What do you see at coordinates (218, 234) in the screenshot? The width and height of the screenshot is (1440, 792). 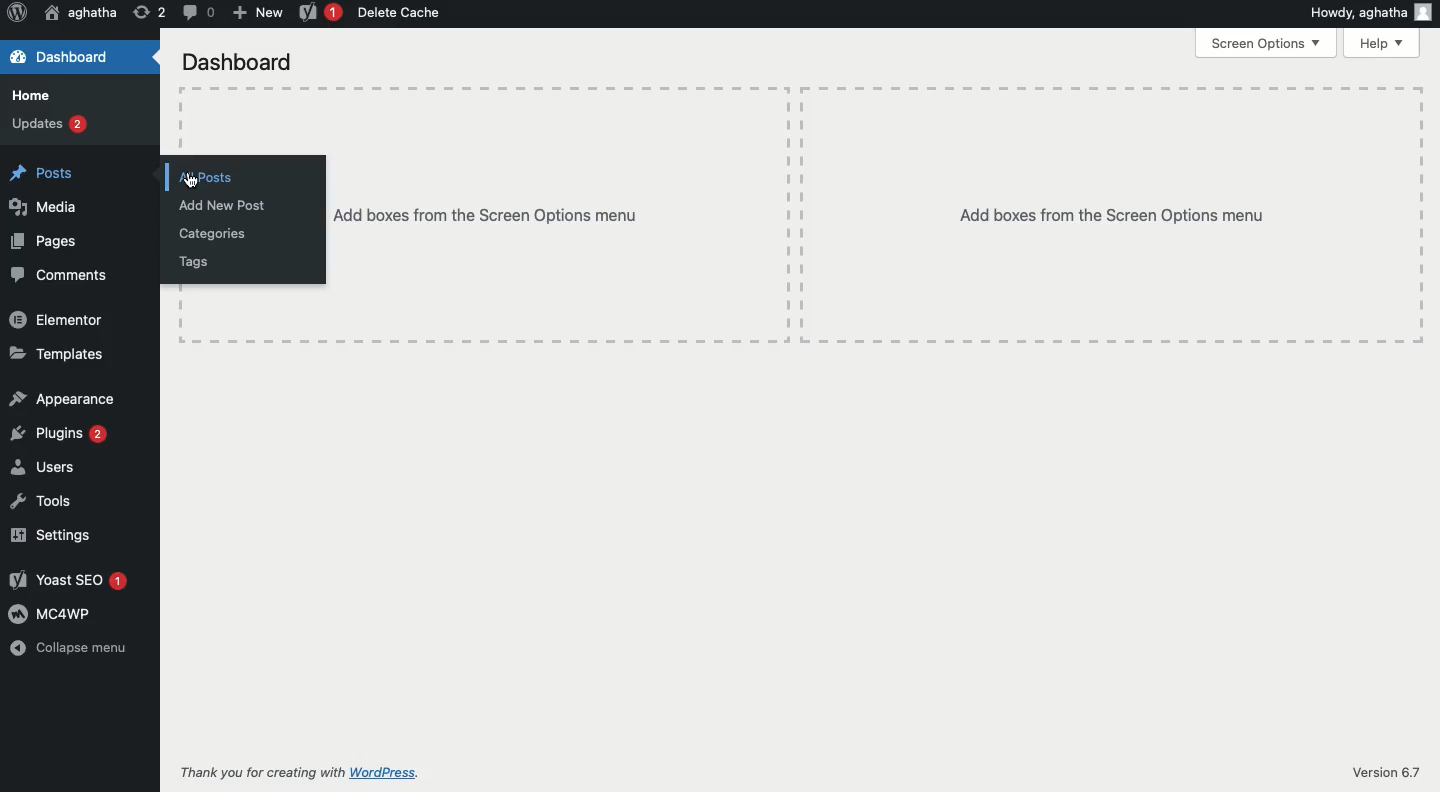 I see `Categories` at bounding box center [218, 234].